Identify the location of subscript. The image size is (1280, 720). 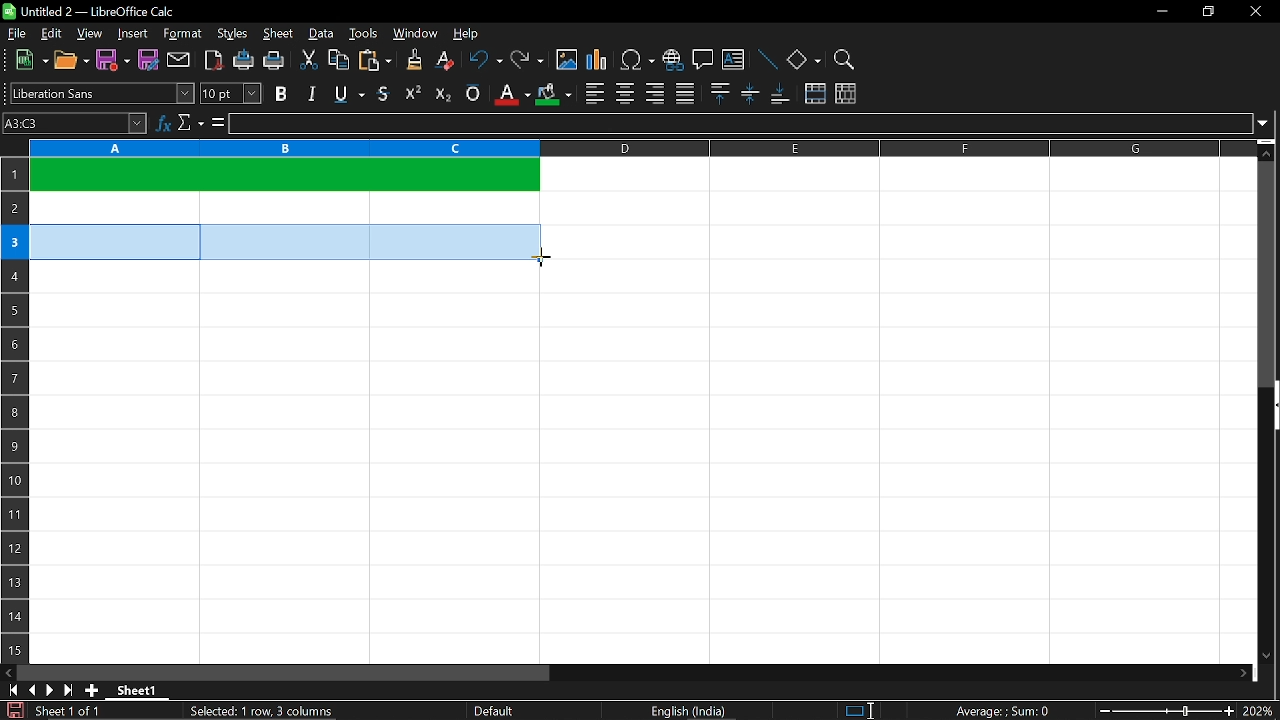
(442, 93).